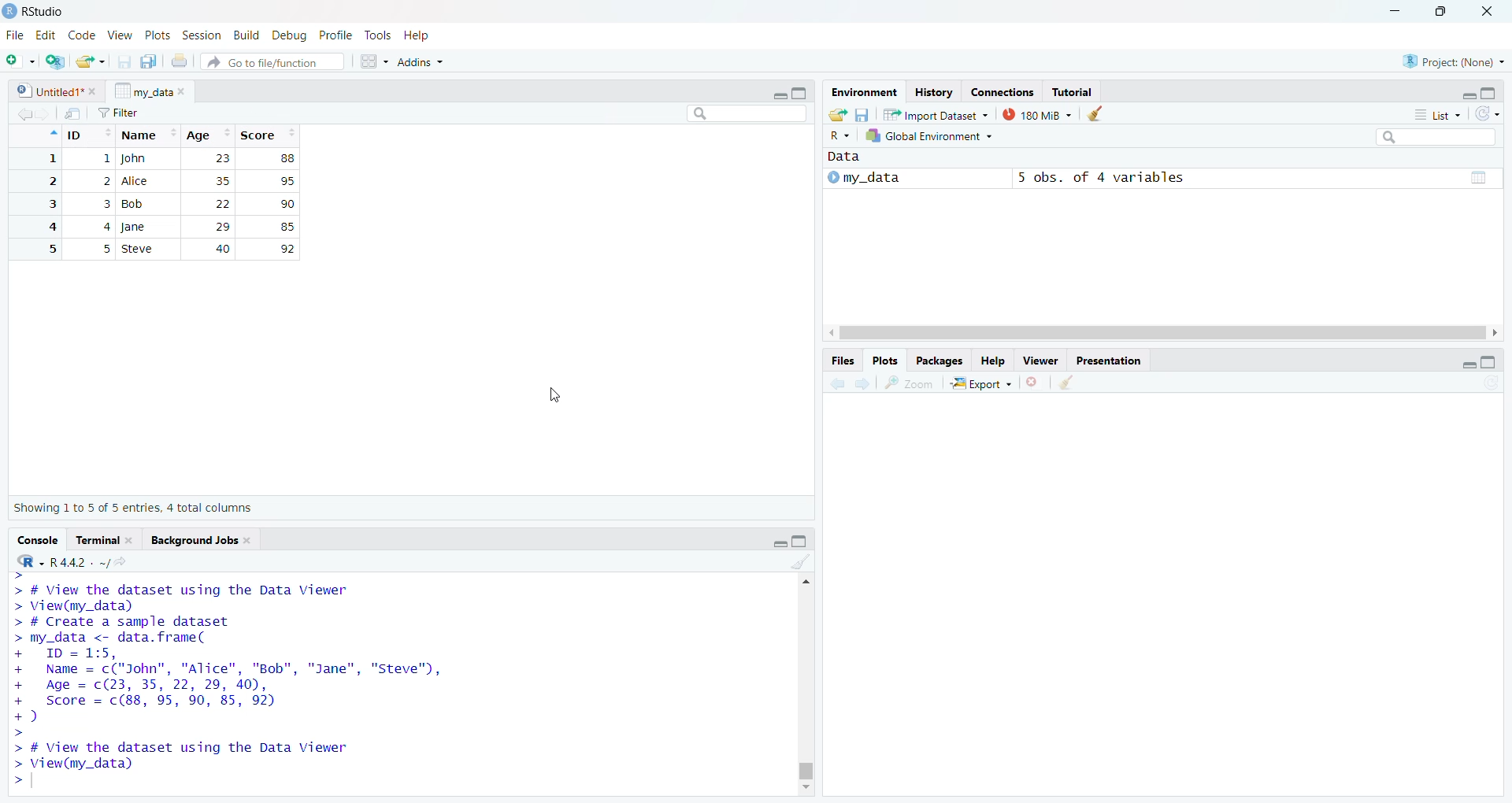 Image resolution: width=1512 pixels, height=803 pixels. Describe the element at coordinates (1454, 62) in the screenshot. I see `Project (None)` at that location.